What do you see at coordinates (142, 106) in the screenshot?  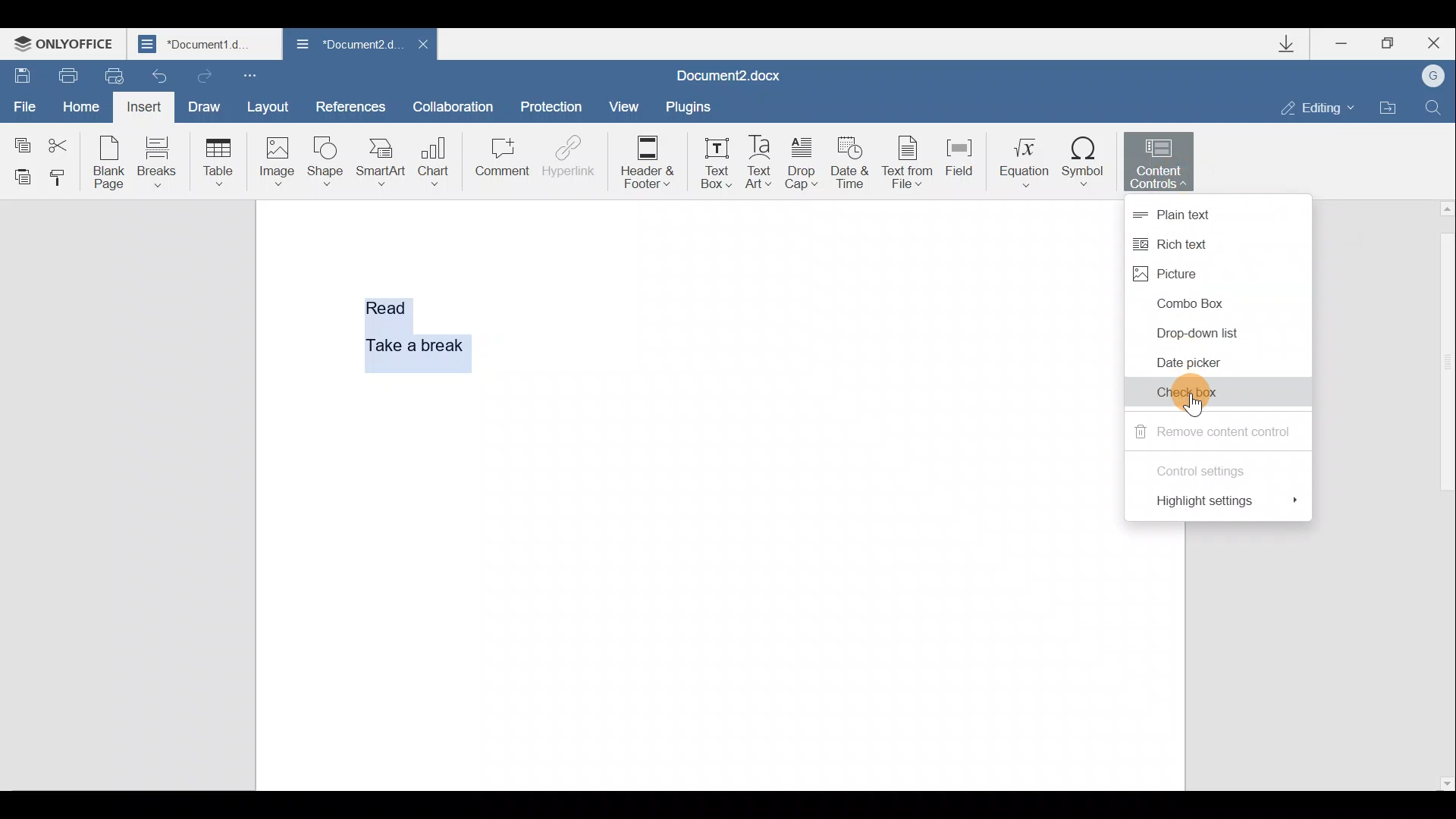 I see `Insert` at bounding box center [142, 106].